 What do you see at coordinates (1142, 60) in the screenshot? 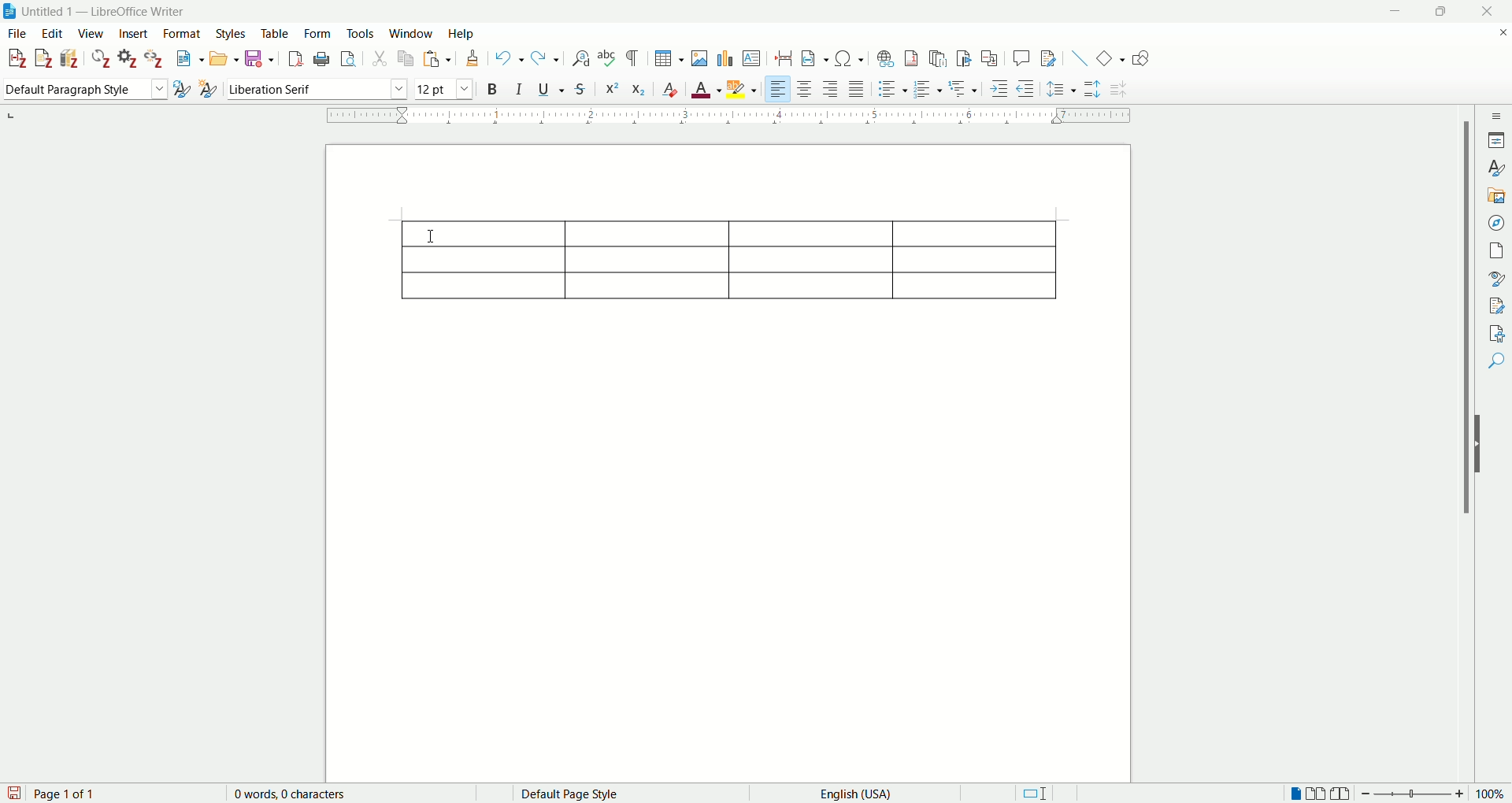
I see `draw function` at bounding box center [1142, 60].